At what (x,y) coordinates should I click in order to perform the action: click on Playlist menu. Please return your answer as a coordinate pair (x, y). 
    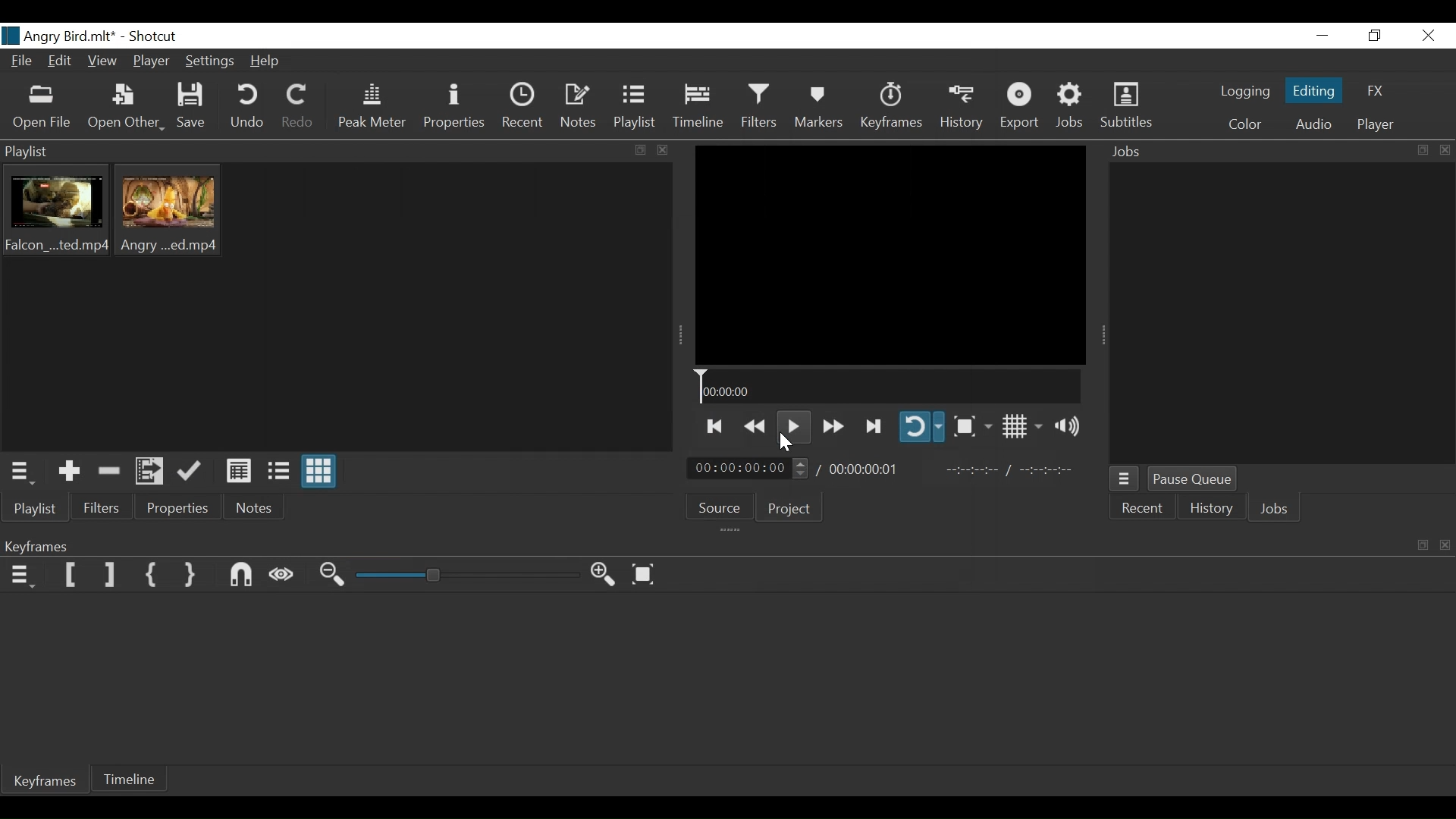
    Looking at the image, I should click on (343, 150).